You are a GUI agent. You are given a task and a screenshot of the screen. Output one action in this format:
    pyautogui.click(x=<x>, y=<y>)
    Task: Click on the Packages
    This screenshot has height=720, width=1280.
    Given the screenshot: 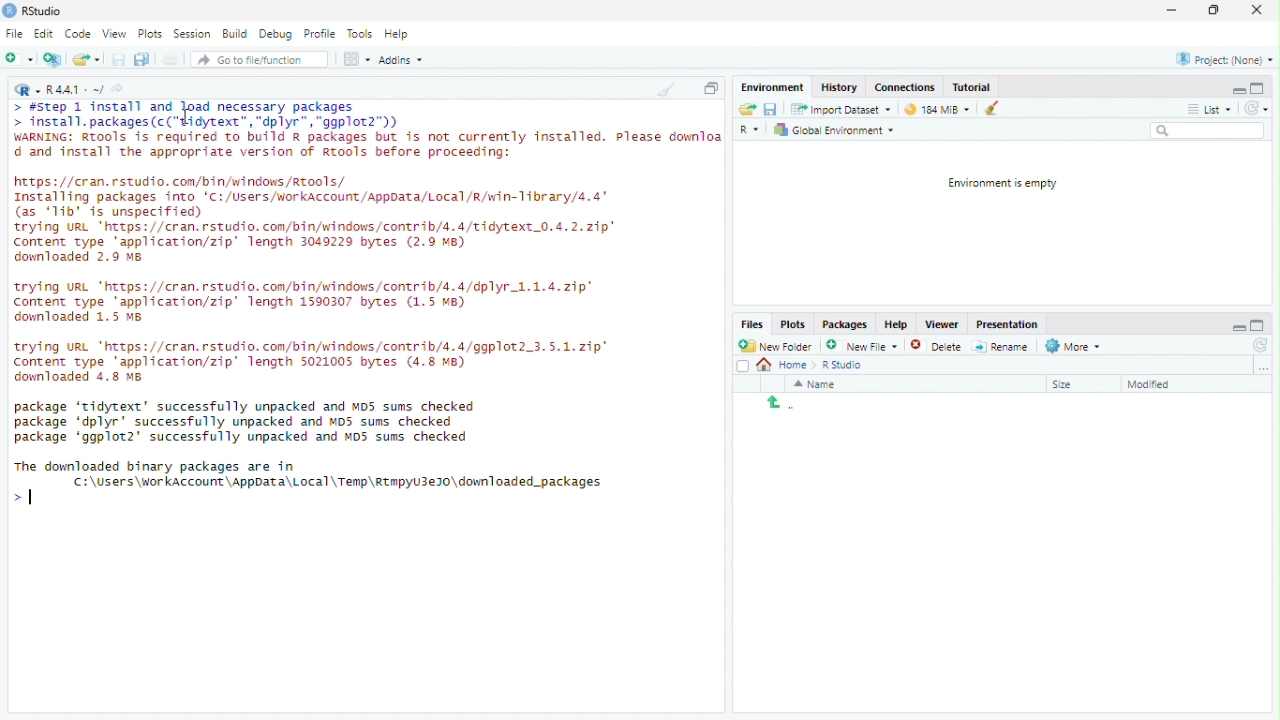 What is the action you would take?
    pyautogui.click(x=845, y=325)
    